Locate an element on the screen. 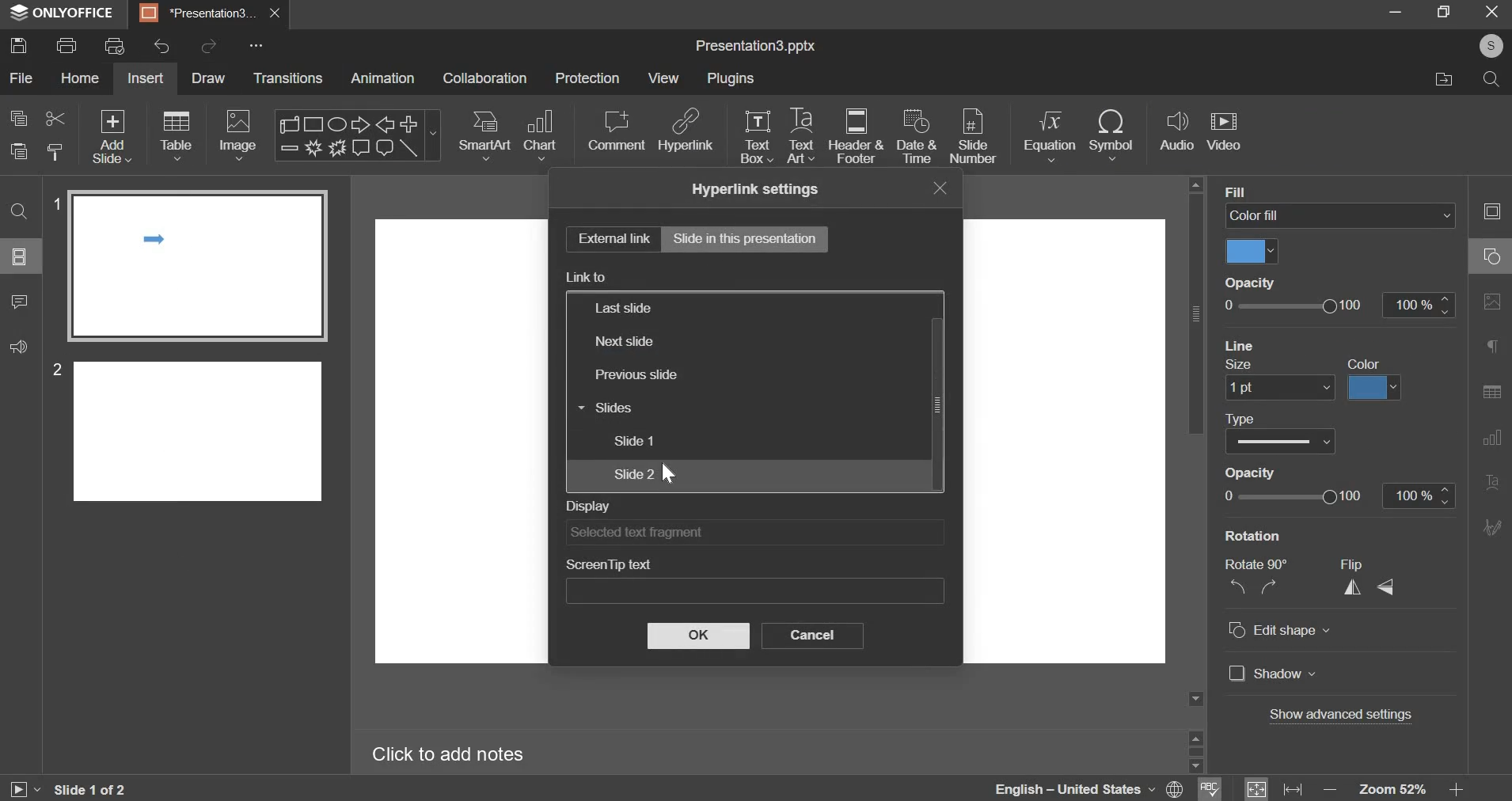  type is located at coordinates (1241, 419).